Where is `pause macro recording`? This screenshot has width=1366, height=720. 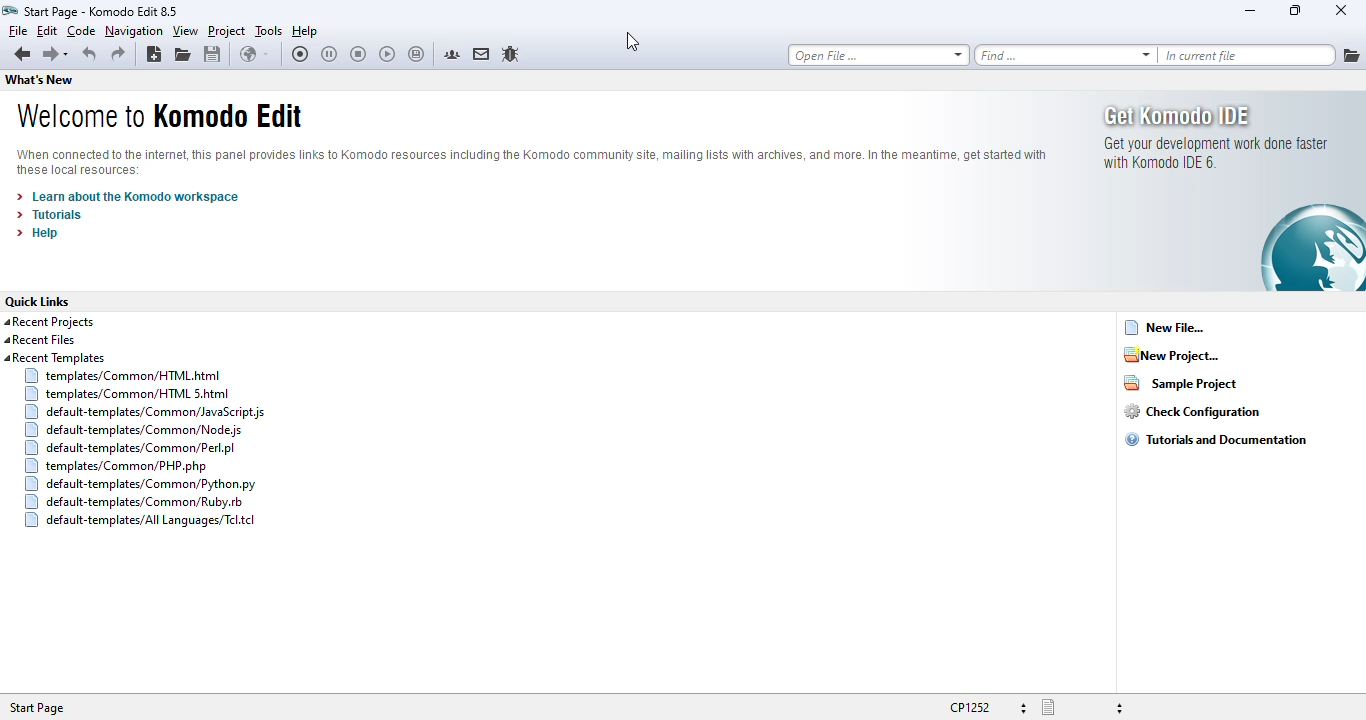 pause macro recording is located at coordinates (329, 55).